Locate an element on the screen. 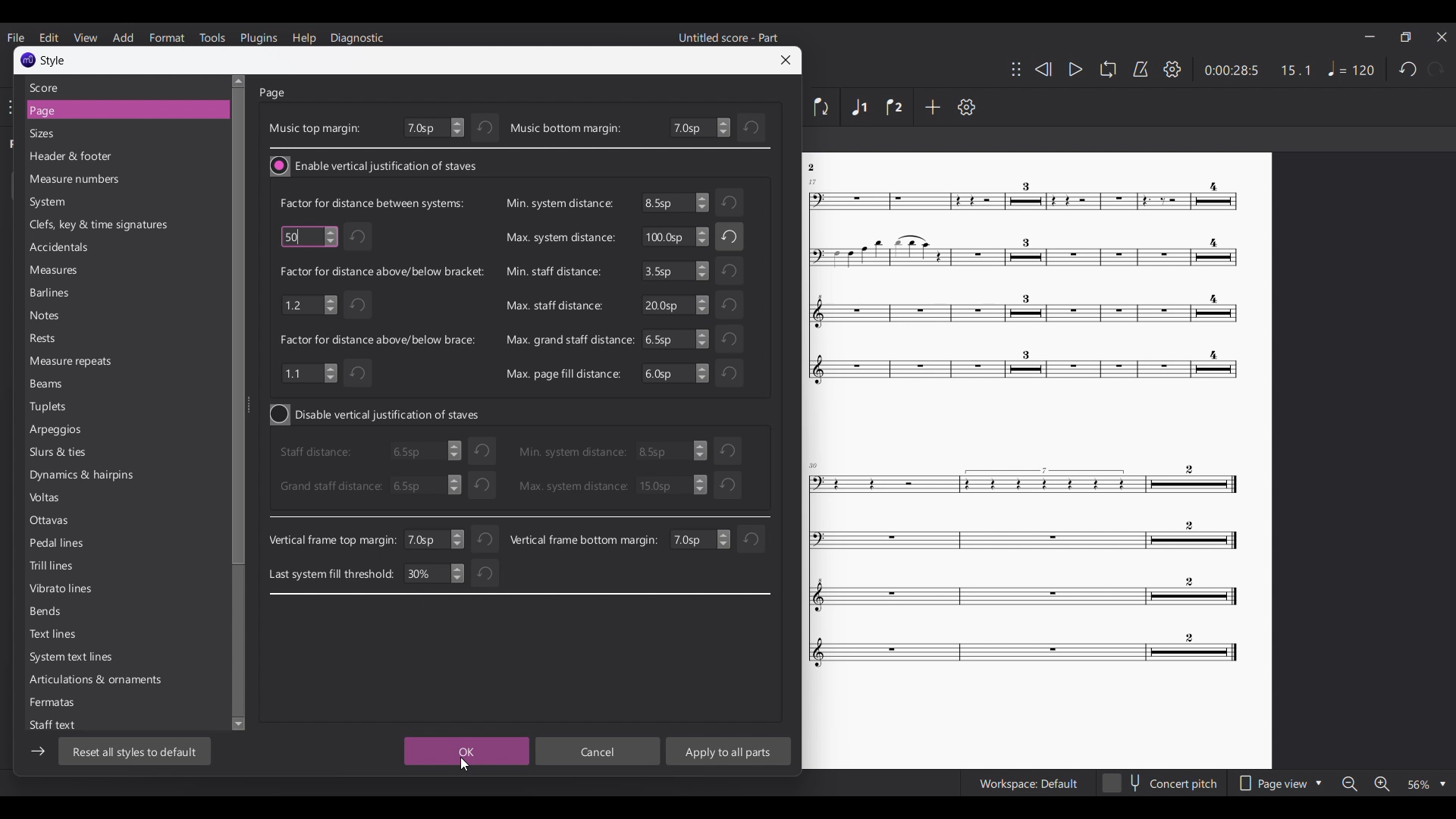 This screenshot has height=819, width=1456. Play is located at coordinates (1076, 70).